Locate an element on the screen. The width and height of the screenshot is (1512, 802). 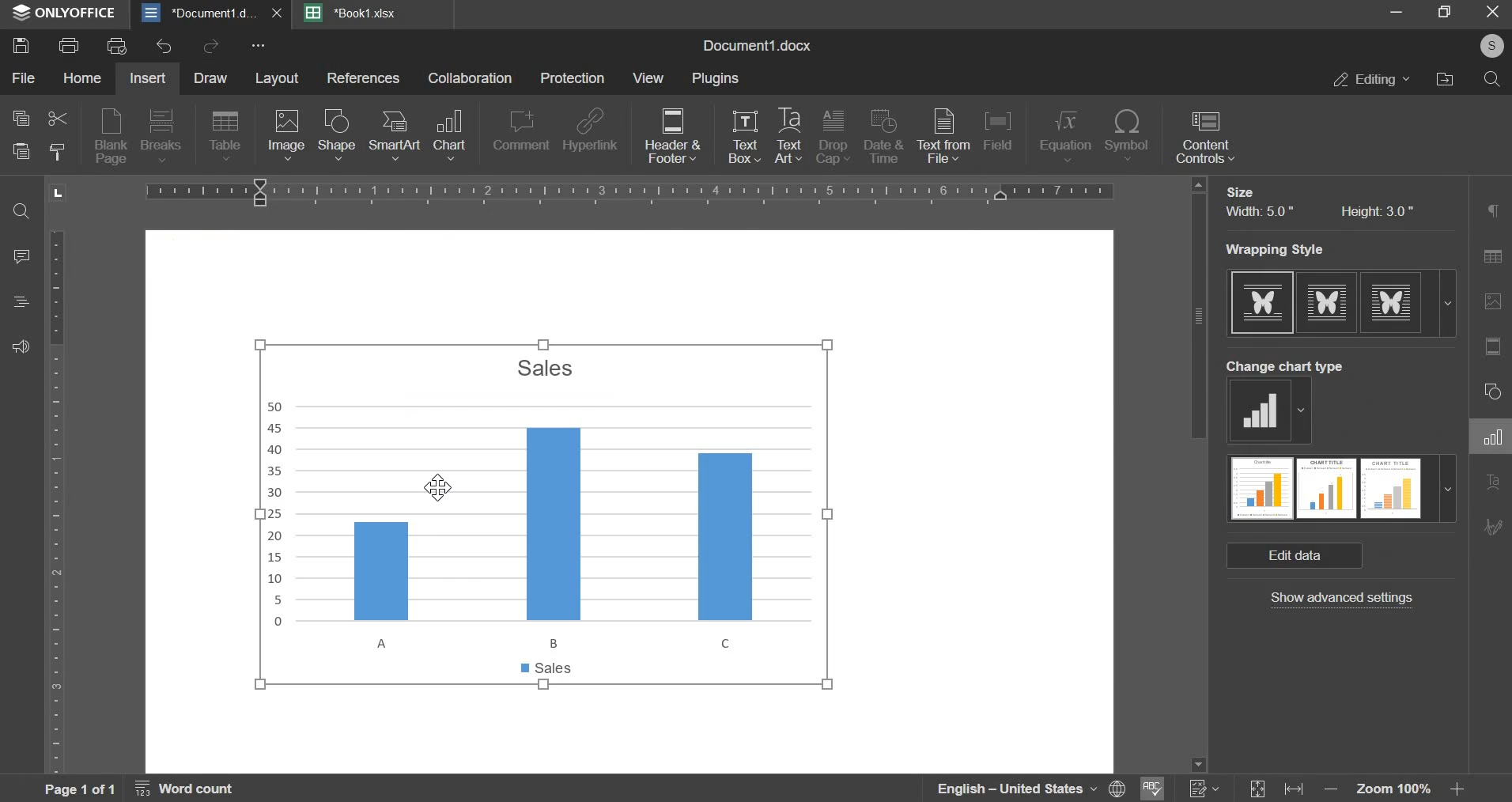
header & footer is located at coordinates (671, 138).